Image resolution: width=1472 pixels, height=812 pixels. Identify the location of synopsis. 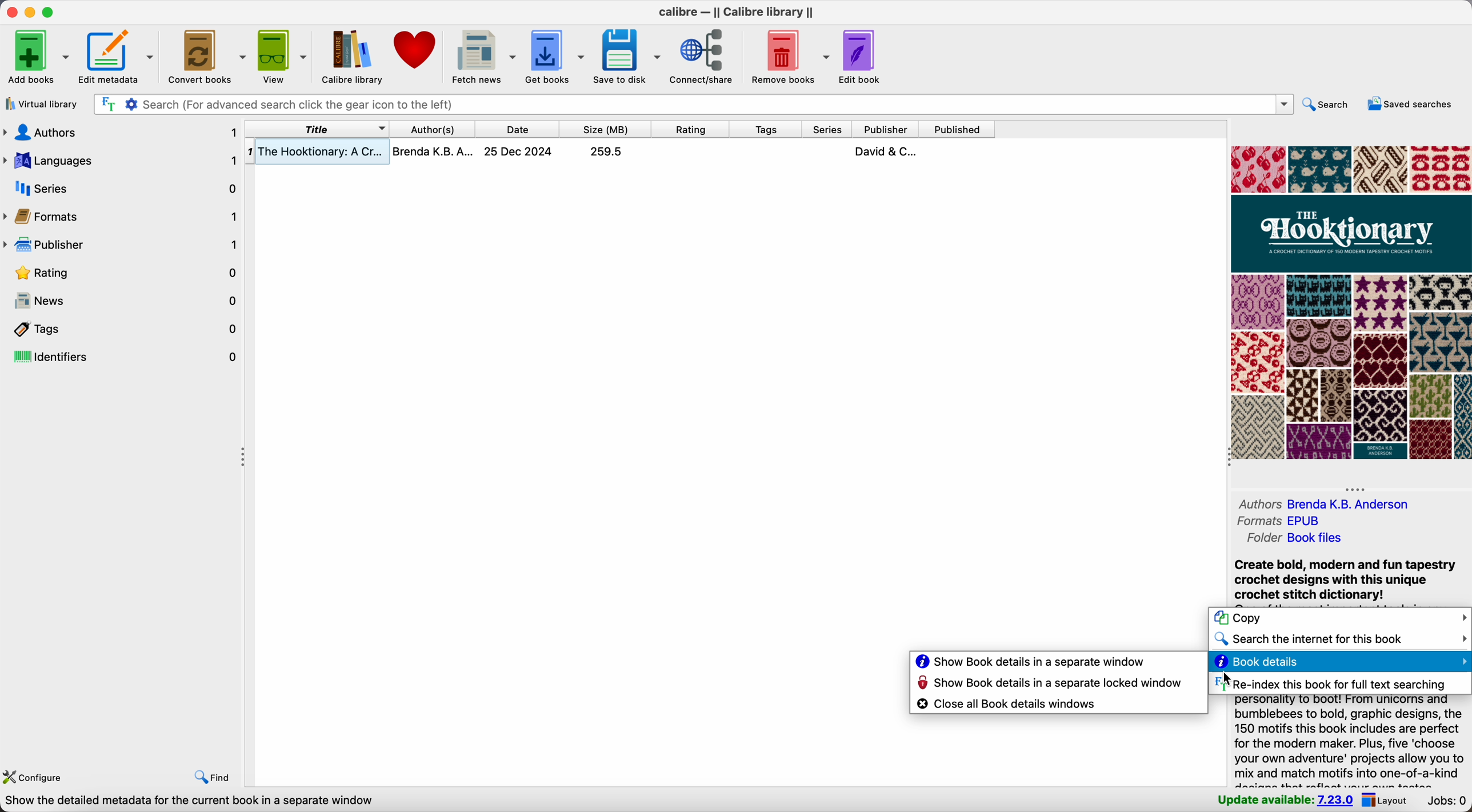
(1350, 741).